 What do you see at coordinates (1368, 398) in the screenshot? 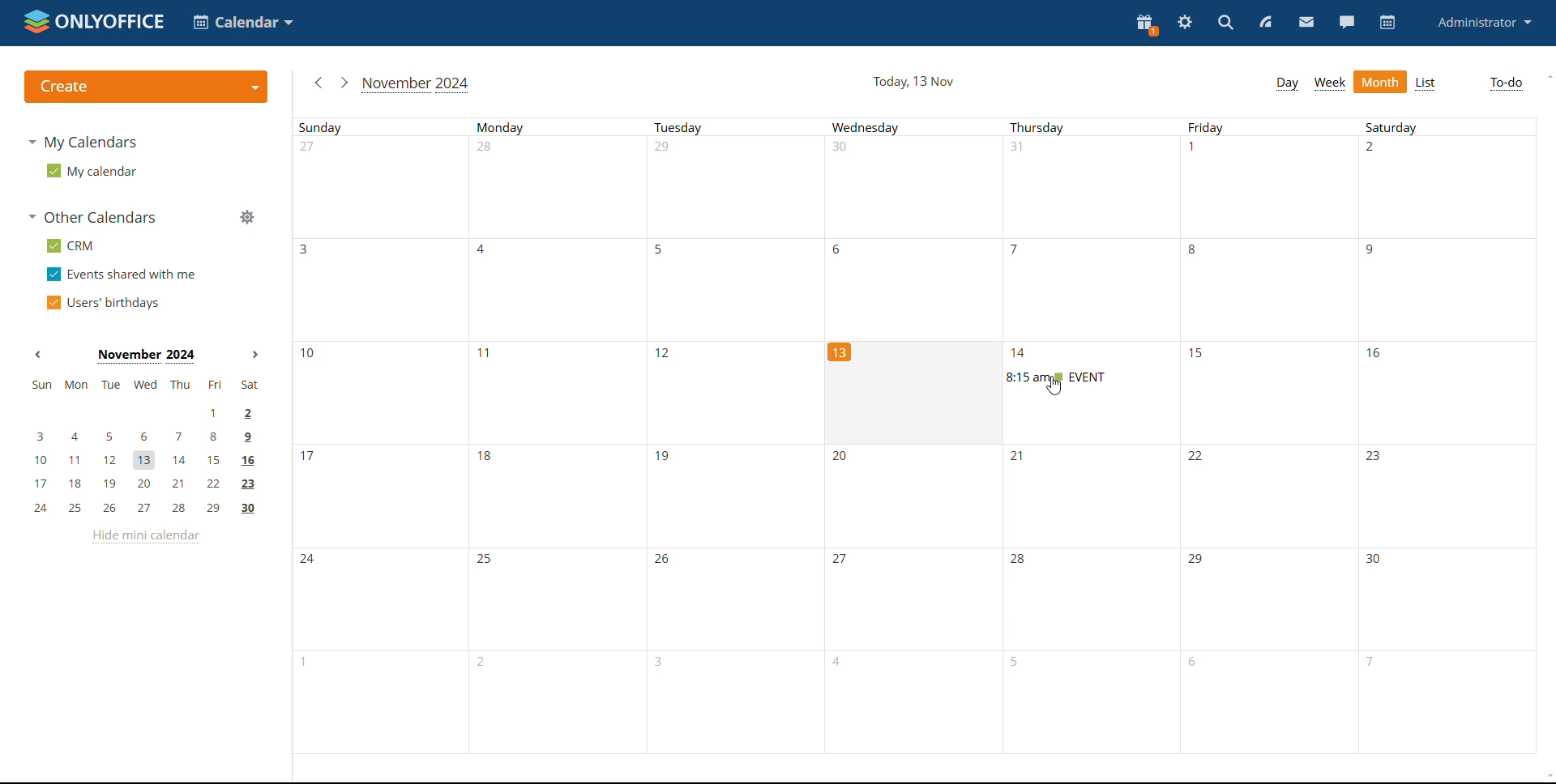
I see `unallocated time slots for 15-16 november` at bounding box center [1368, 398].